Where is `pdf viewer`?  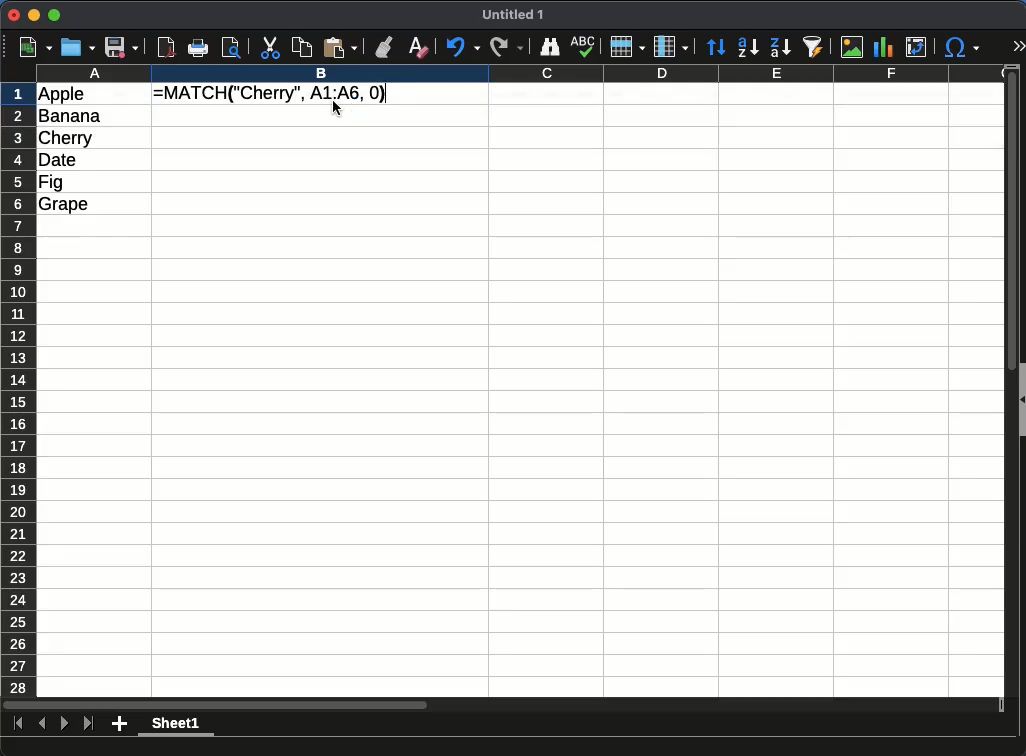 pdf viewer is located at coordinates (167, 48).